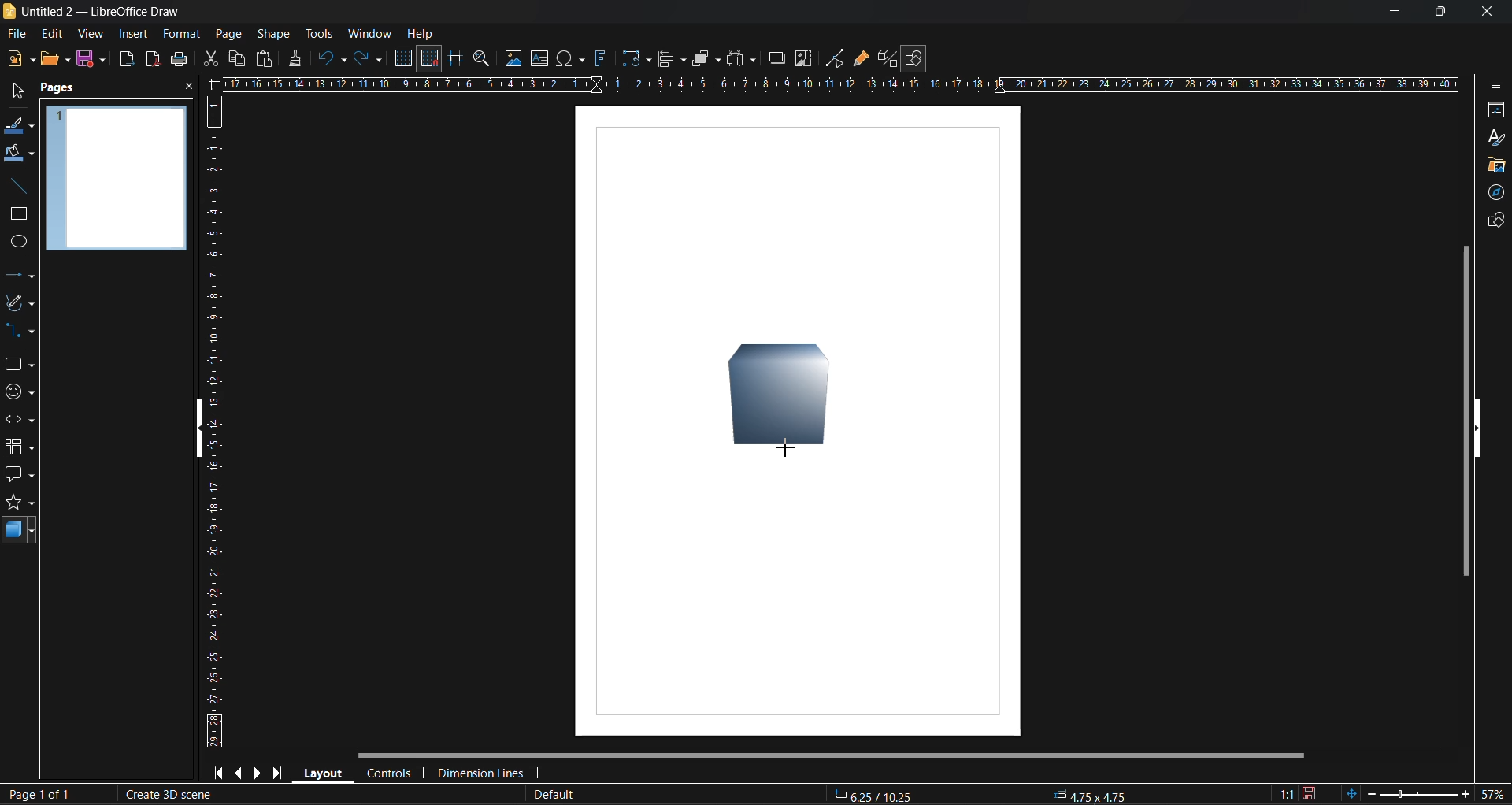  I want to click on line color, so click(17, 127).